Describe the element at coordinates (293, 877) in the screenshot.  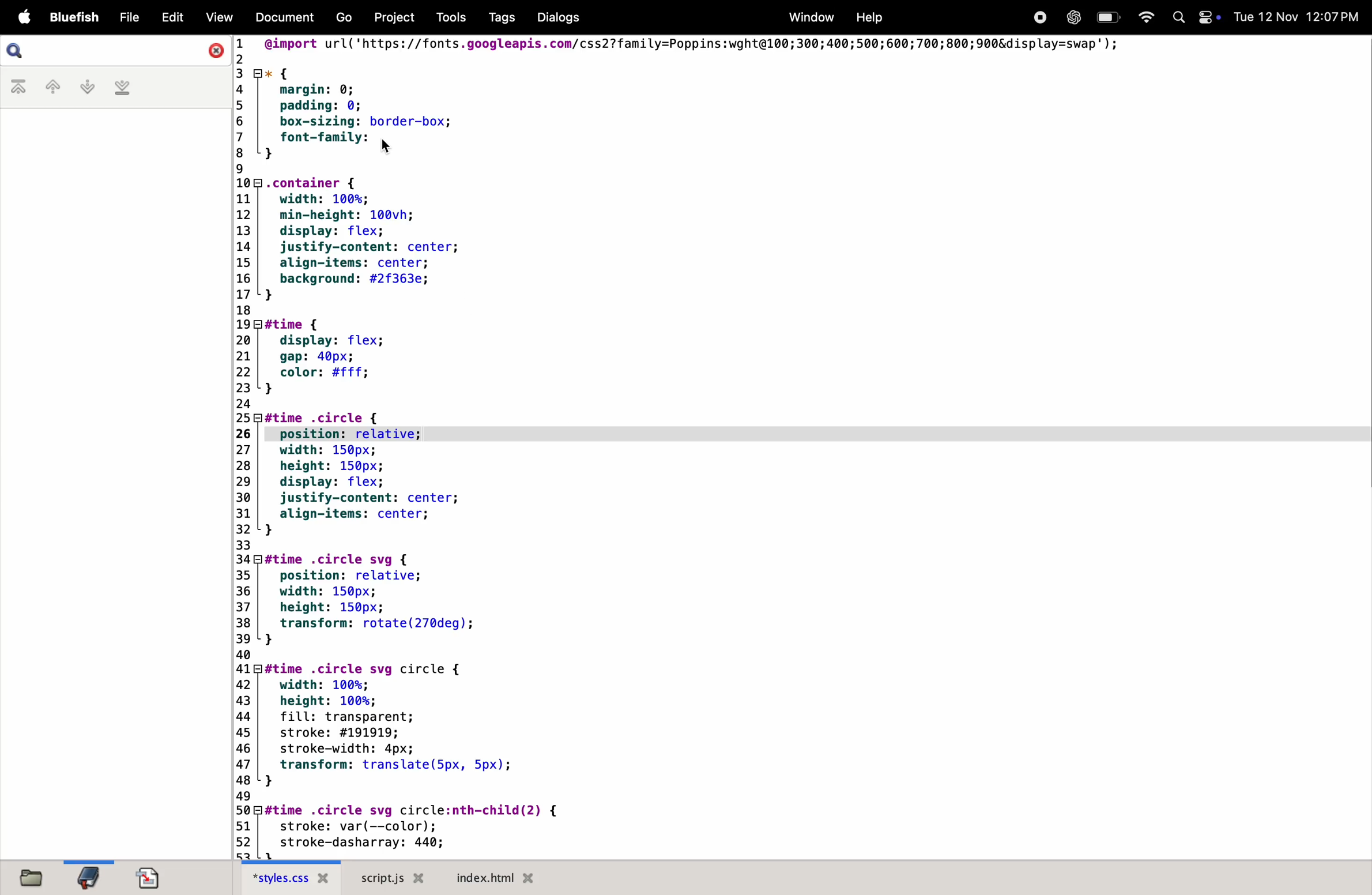
I see `style.css` at that location.